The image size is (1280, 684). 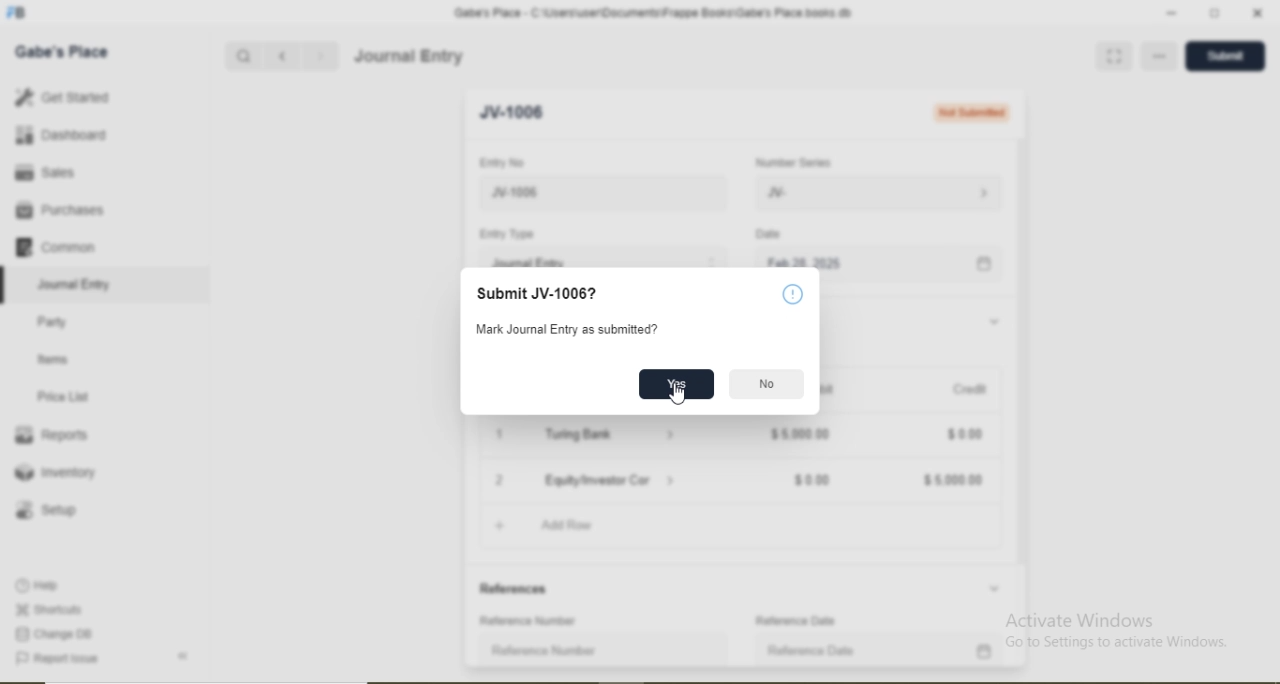 What do you see at coordinates (712, 261) in the screenshot?
I see `Stepper Buttons` at bounding box center [712, 261].